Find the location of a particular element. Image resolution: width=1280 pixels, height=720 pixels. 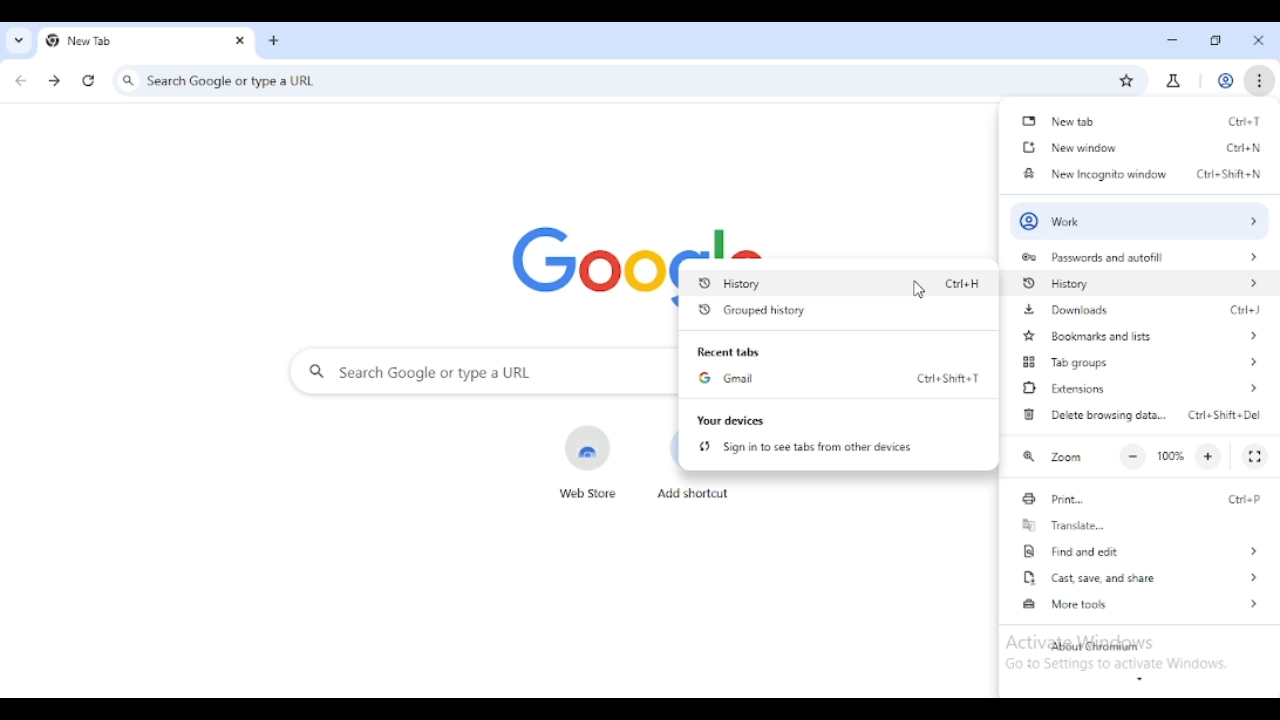

find and edit is located at coordinates (1138, 551).